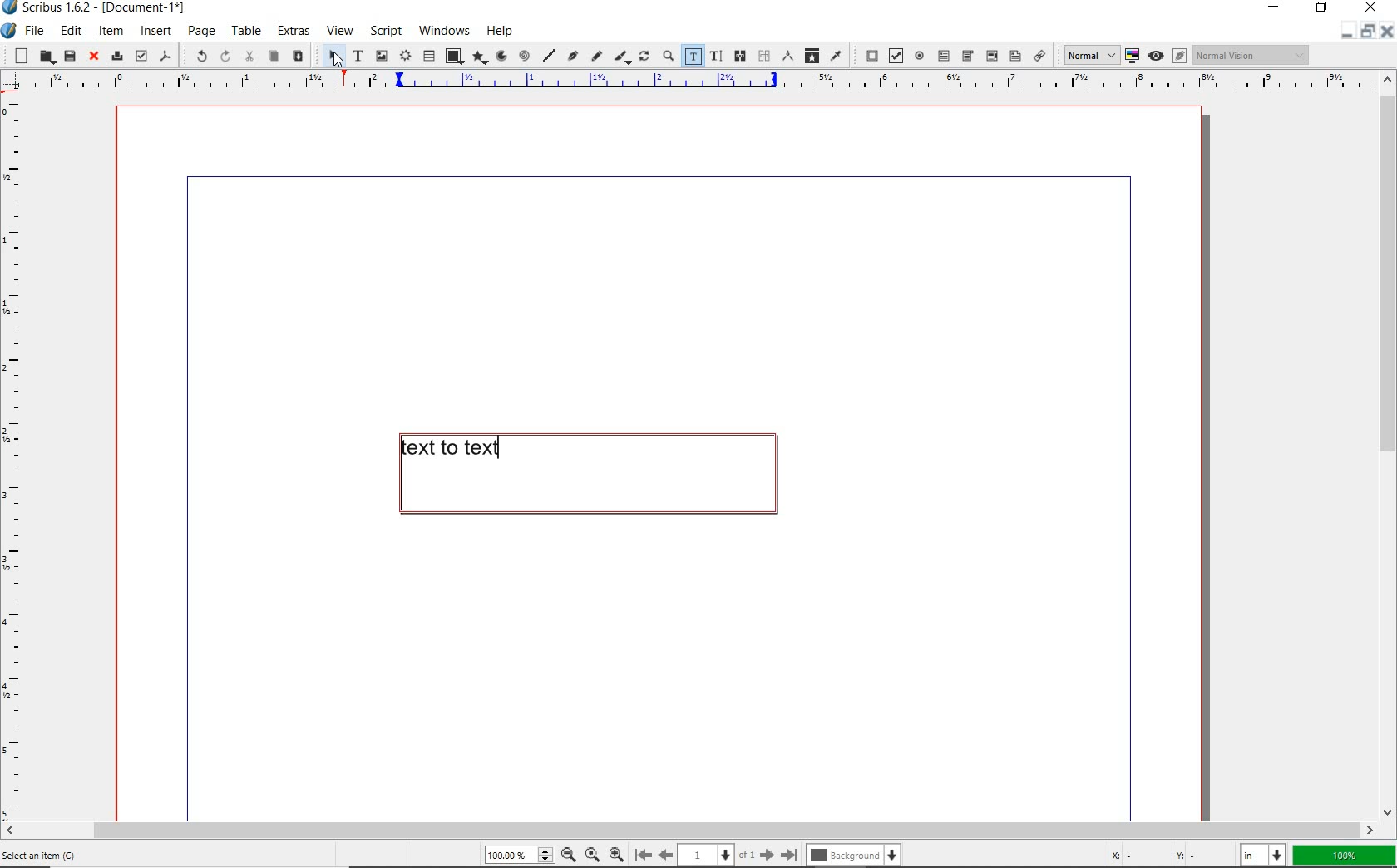 The height and width of the screenshot is (868, 1397). I want to click on Last page, so click(787, 855).